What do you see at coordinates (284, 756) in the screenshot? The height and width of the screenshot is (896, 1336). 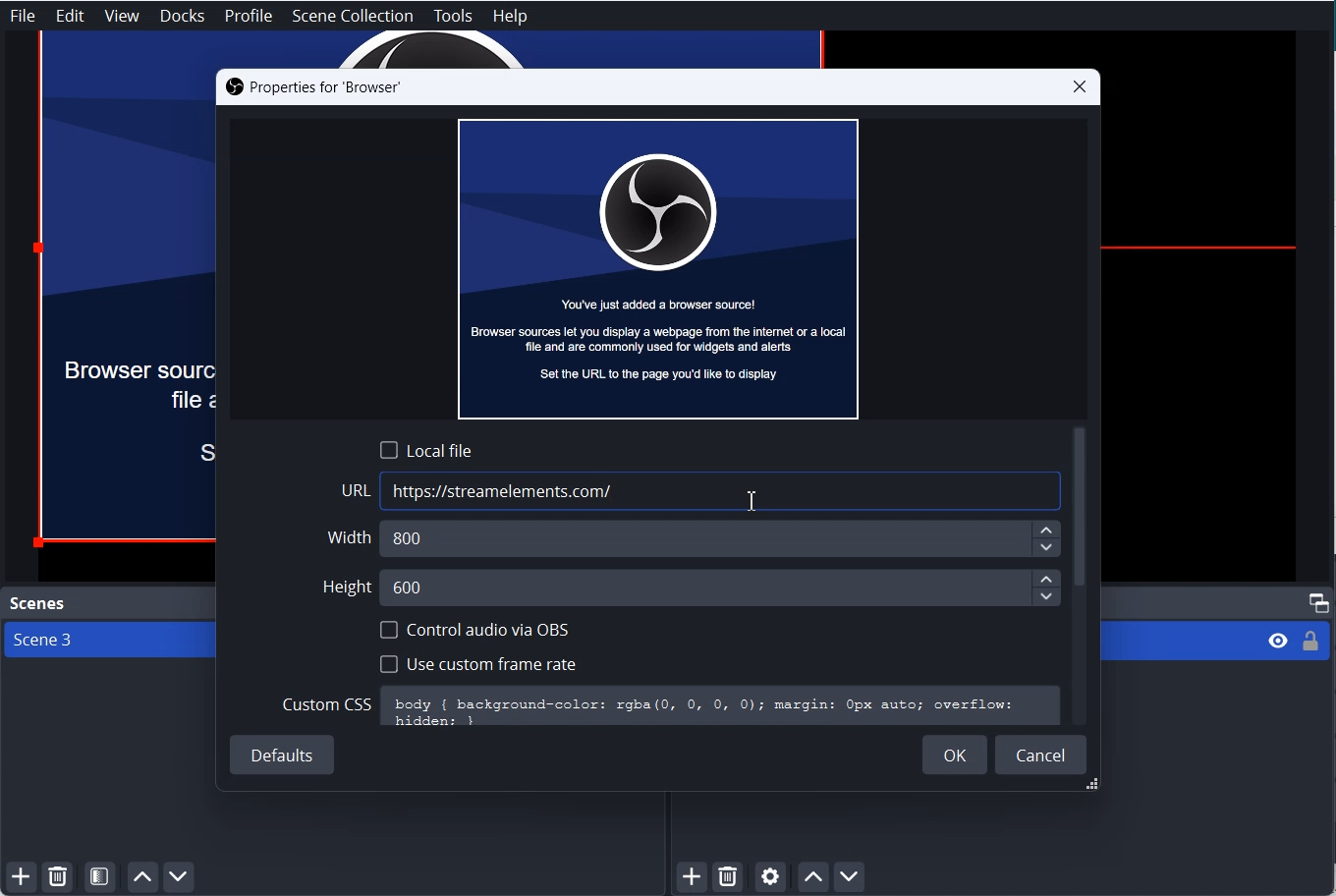 I see `Defaults` at bounding box center [284, 756].